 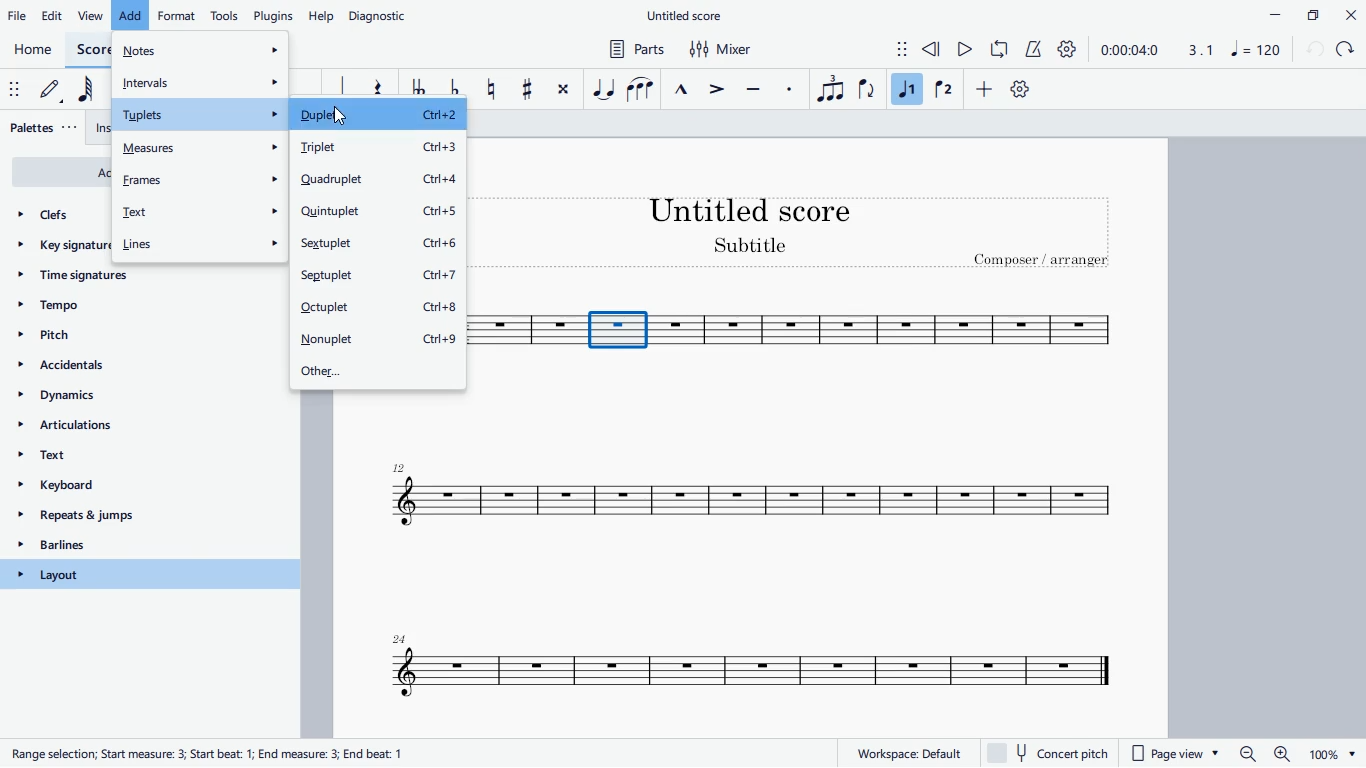 What do you see at coordinates (932, 50) in the screenshot?
I see `rewind` at bounding box center [932, 50].